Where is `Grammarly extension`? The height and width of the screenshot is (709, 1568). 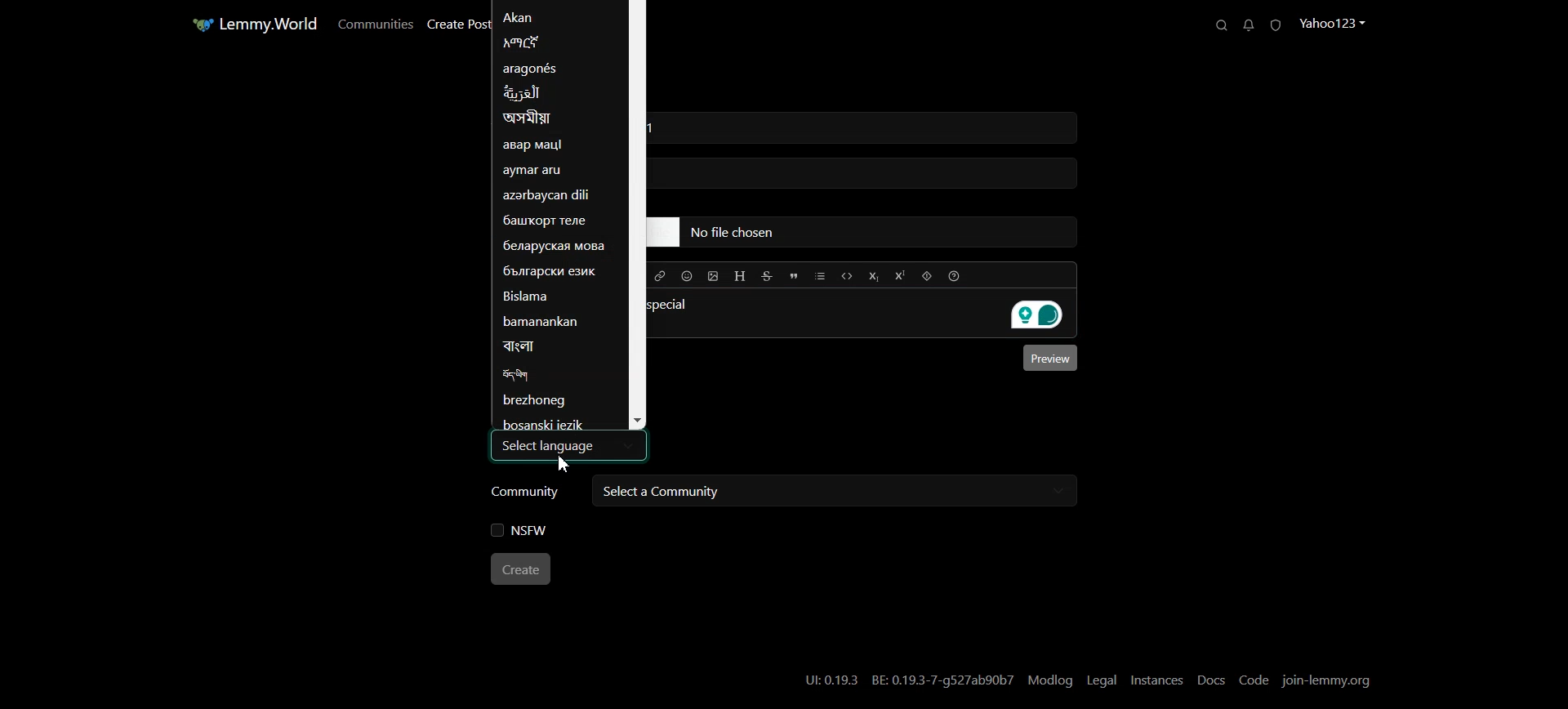 Grammarly extension is located at coordinates (1043, 316).